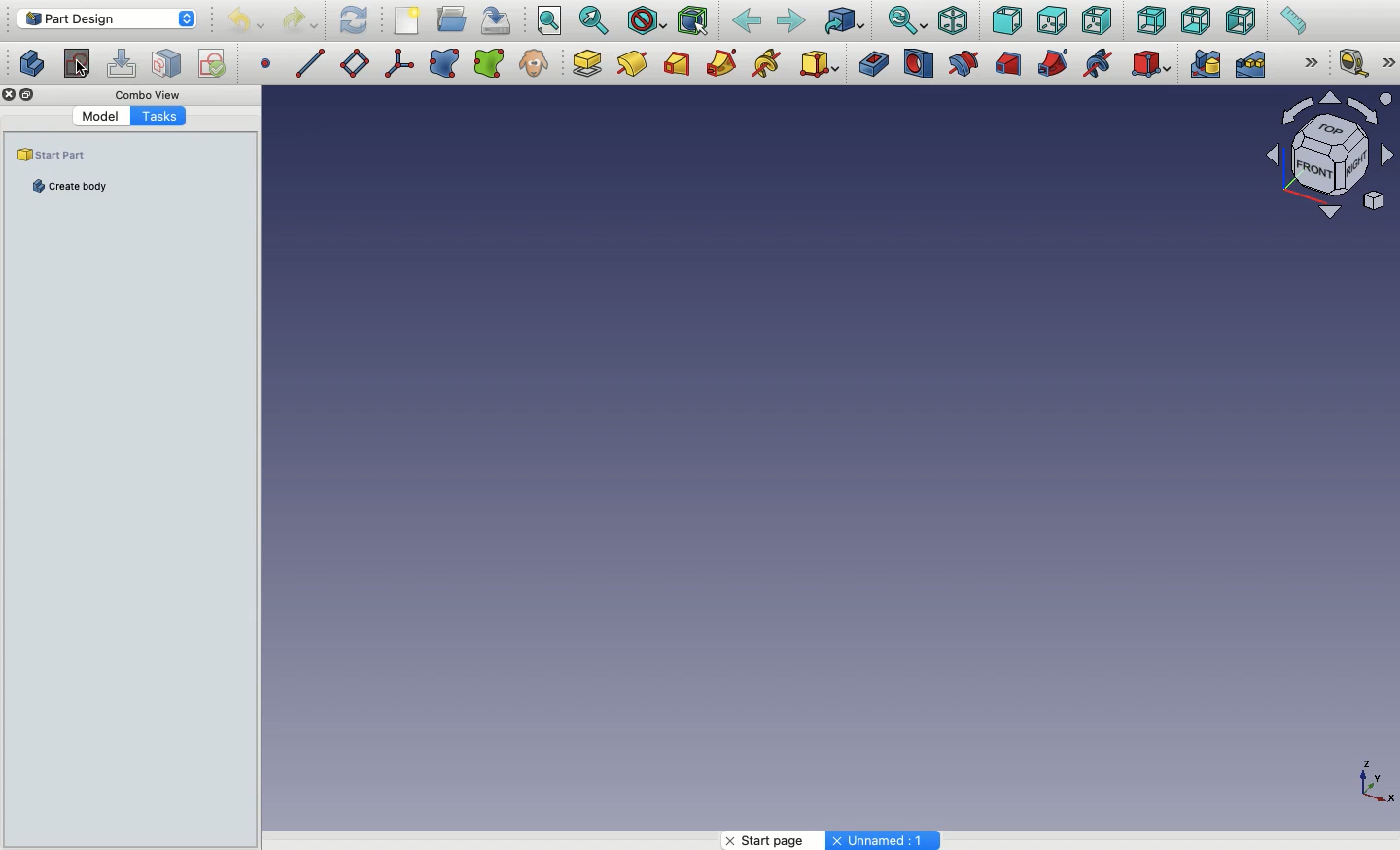 This screenshot has height=850, width=1400. What do you see at coordinates (411, 22) in the screenshot?
I see `New` at bounding box center [411, 22].